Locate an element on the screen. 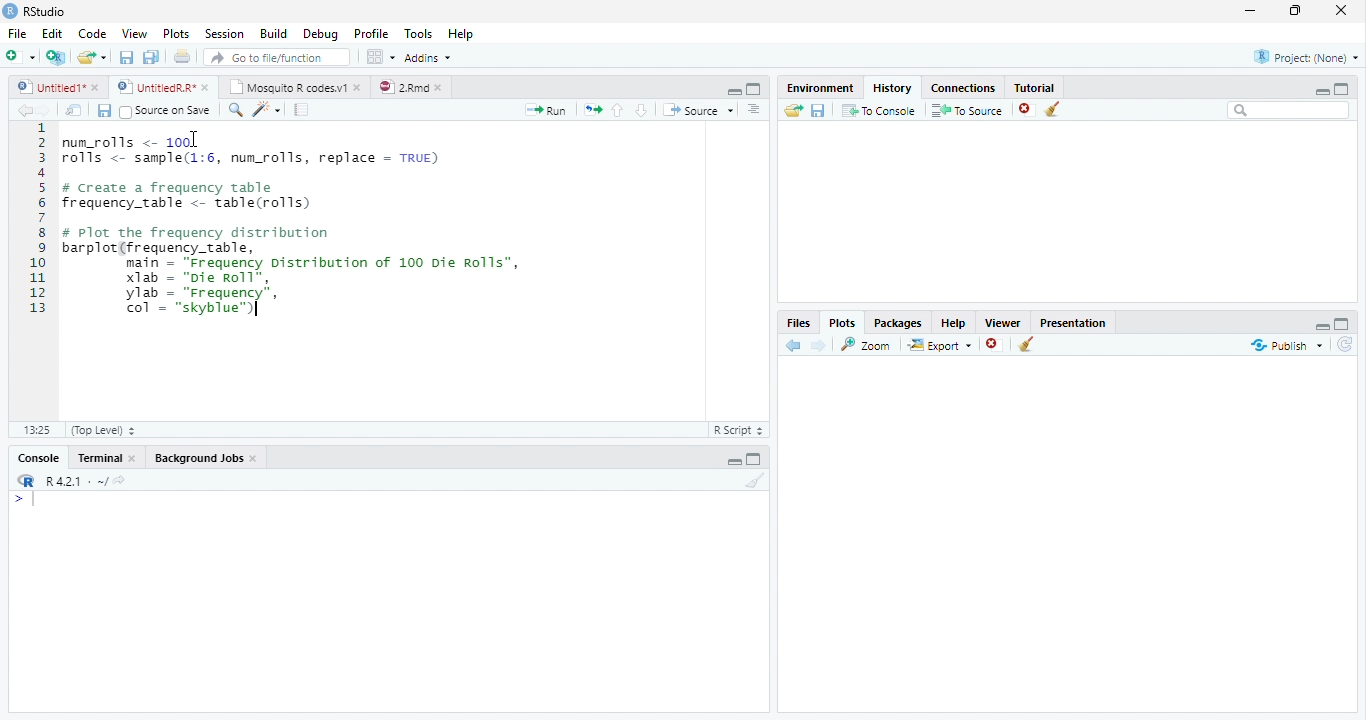 The image size is (1366, 720). Zoom is located at coordinates (868, 345).